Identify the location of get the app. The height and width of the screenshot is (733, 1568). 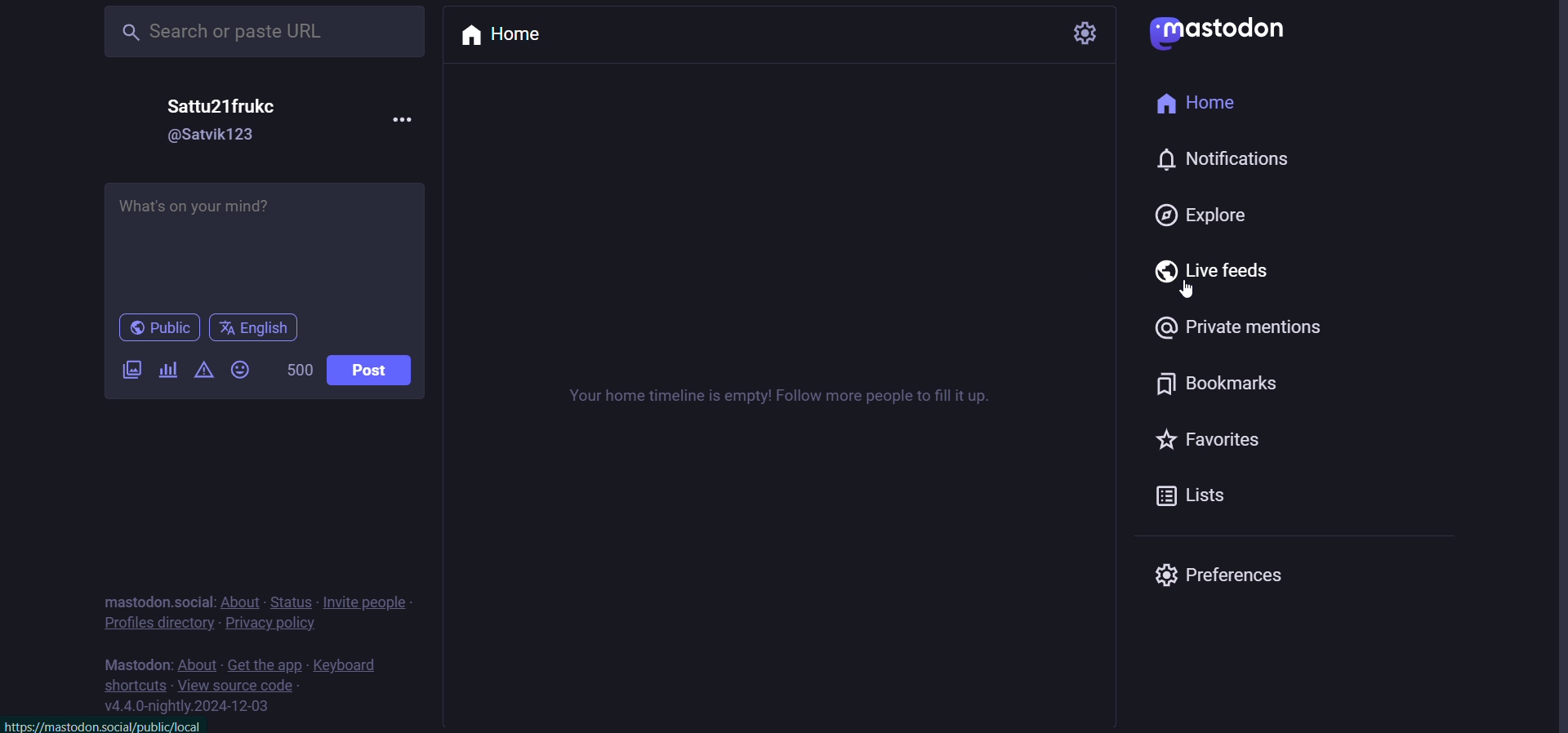
(265, 665).